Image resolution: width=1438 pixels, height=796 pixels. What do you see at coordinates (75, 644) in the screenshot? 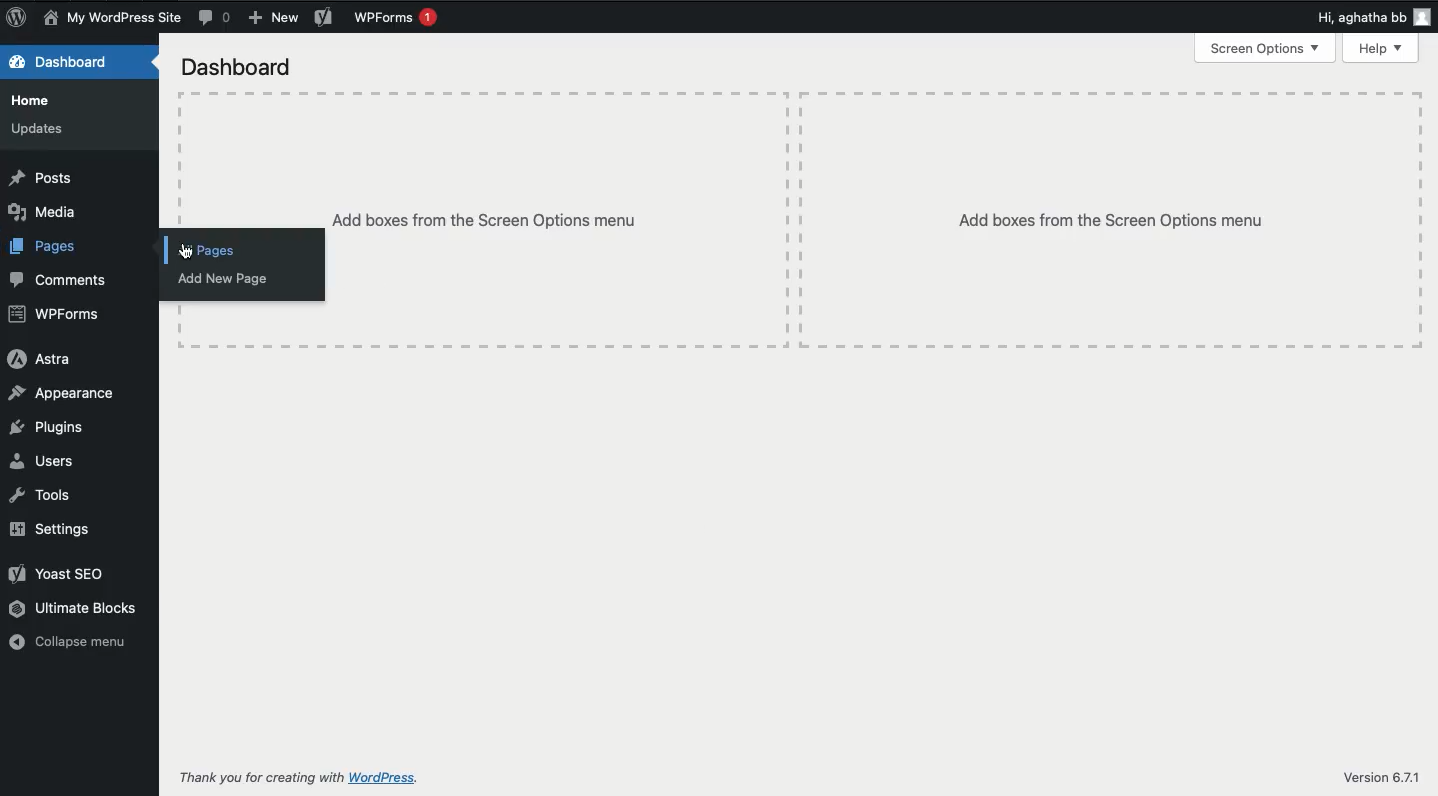
I see `Collapse menu` at bounding box center [75, 644].